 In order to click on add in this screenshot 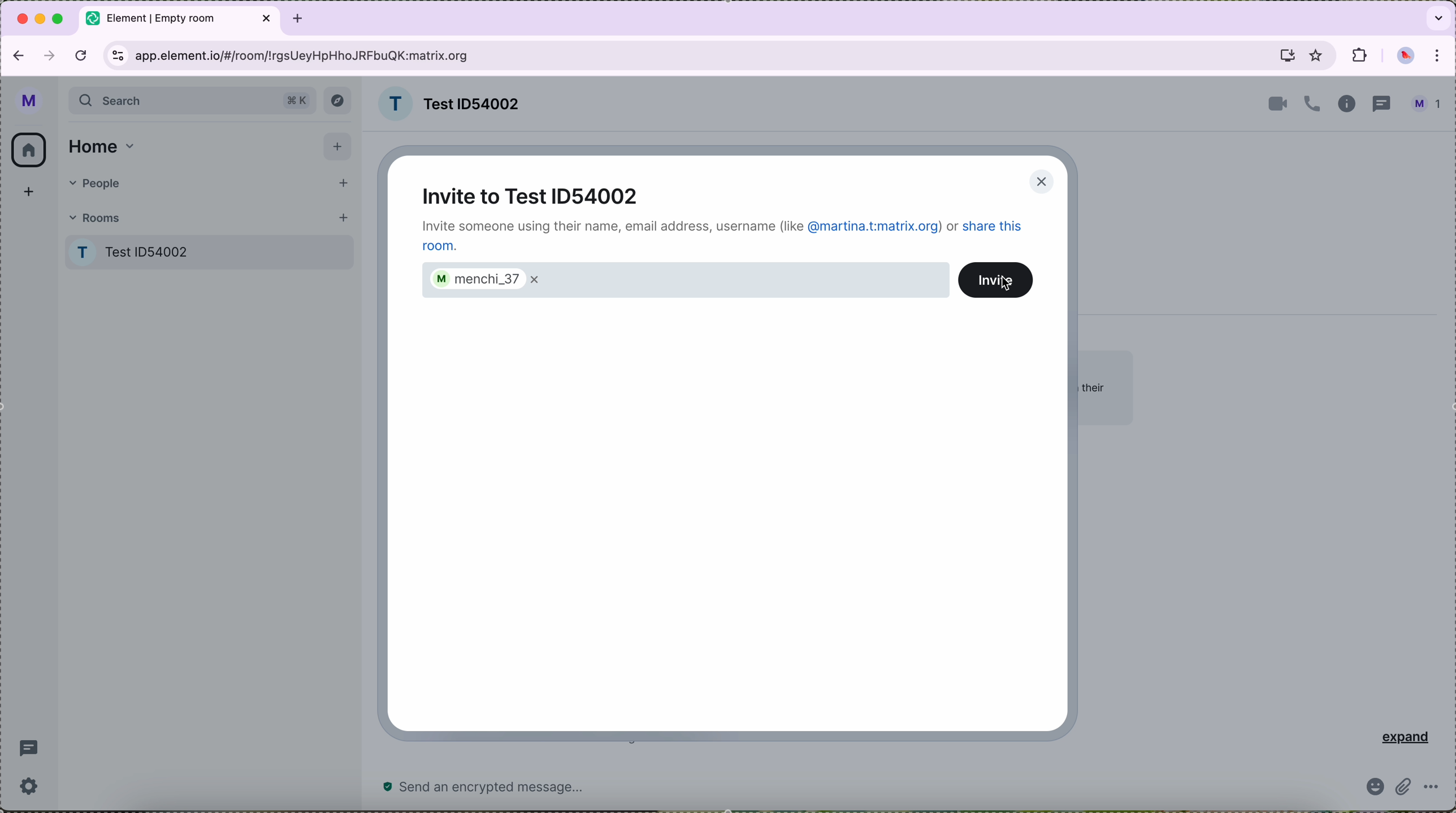, I will do `click(28, 193)`.